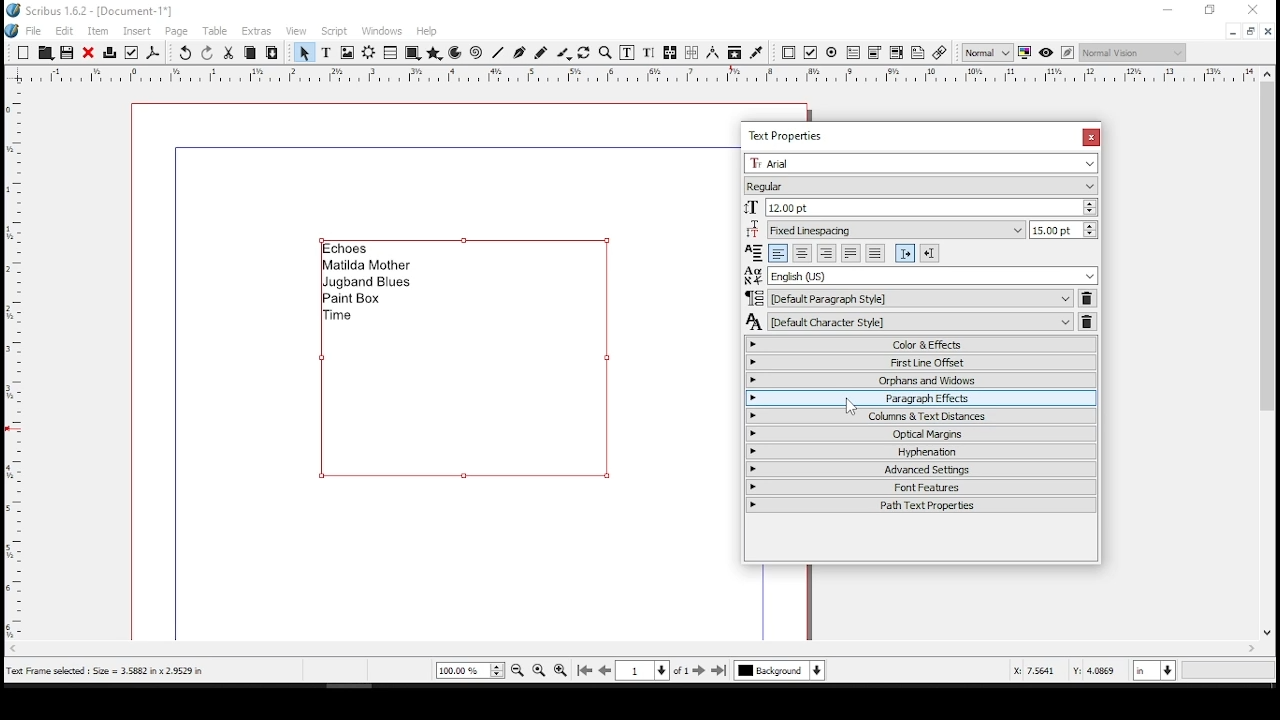  I want to click on pdf text field, so click(853, 53).